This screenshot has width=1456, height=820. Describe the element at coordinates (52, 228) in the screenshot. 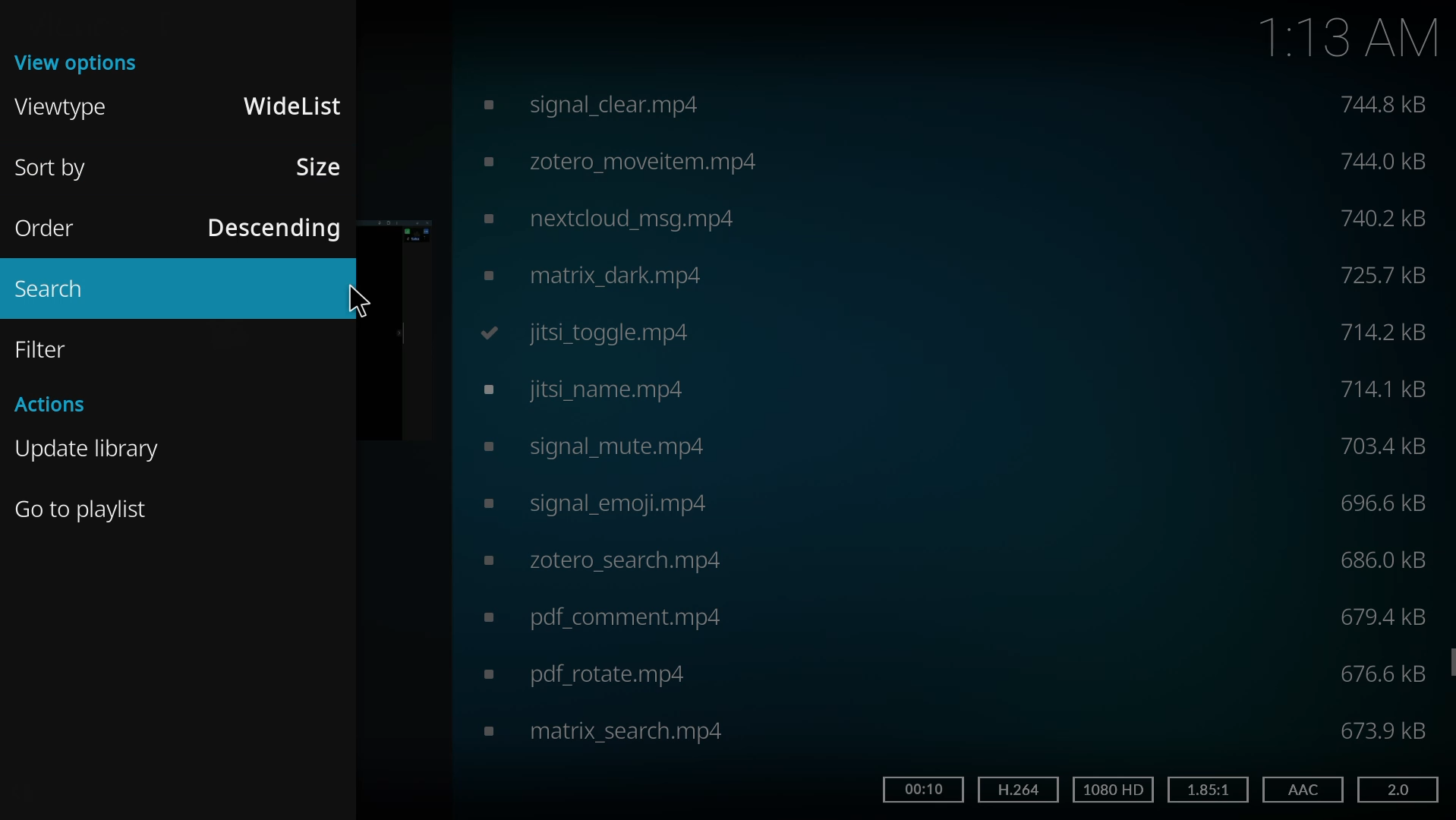

I see `order` at that location.